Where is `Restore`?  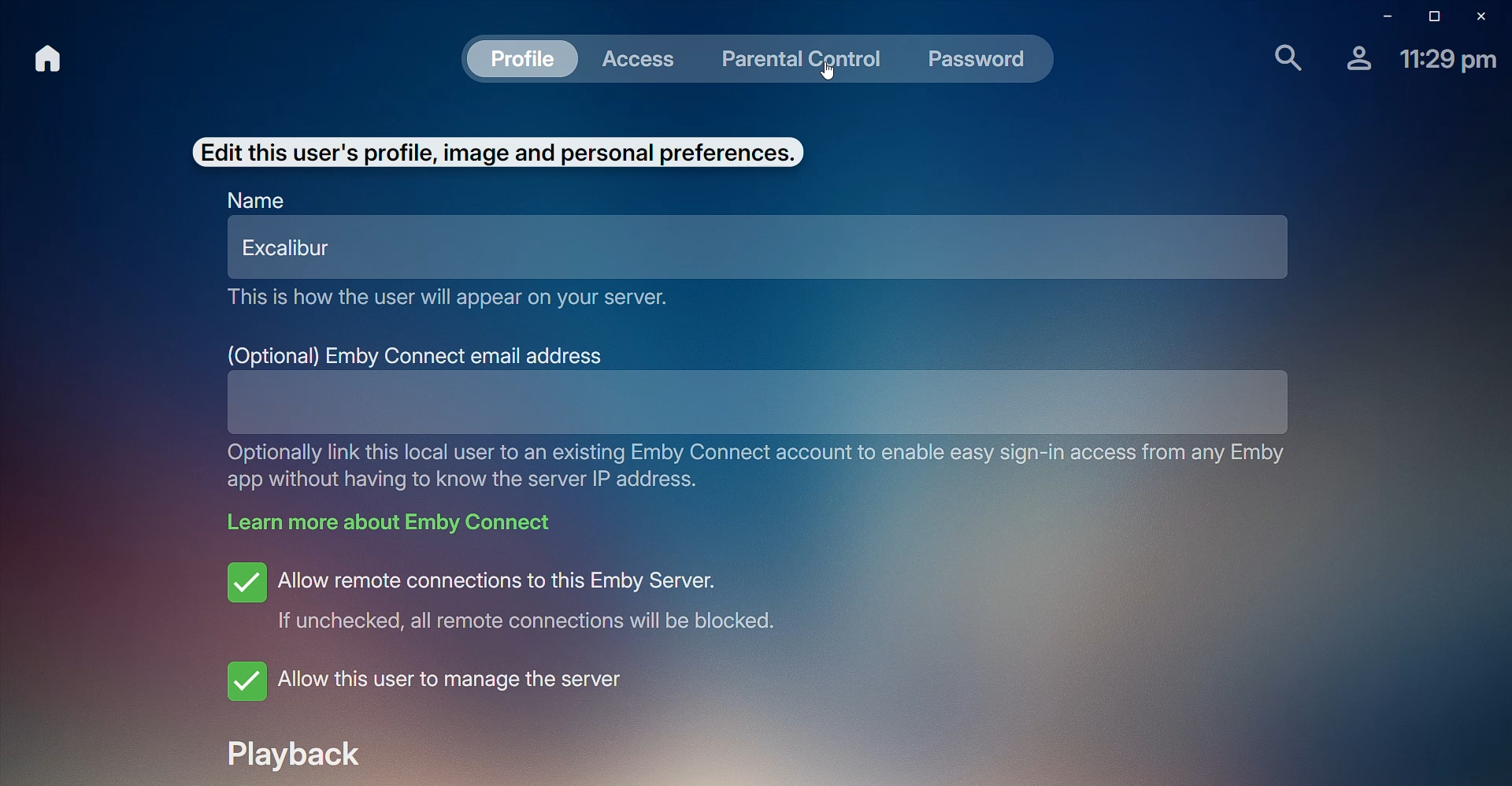
Restore is located at coordinates (1430, 16).